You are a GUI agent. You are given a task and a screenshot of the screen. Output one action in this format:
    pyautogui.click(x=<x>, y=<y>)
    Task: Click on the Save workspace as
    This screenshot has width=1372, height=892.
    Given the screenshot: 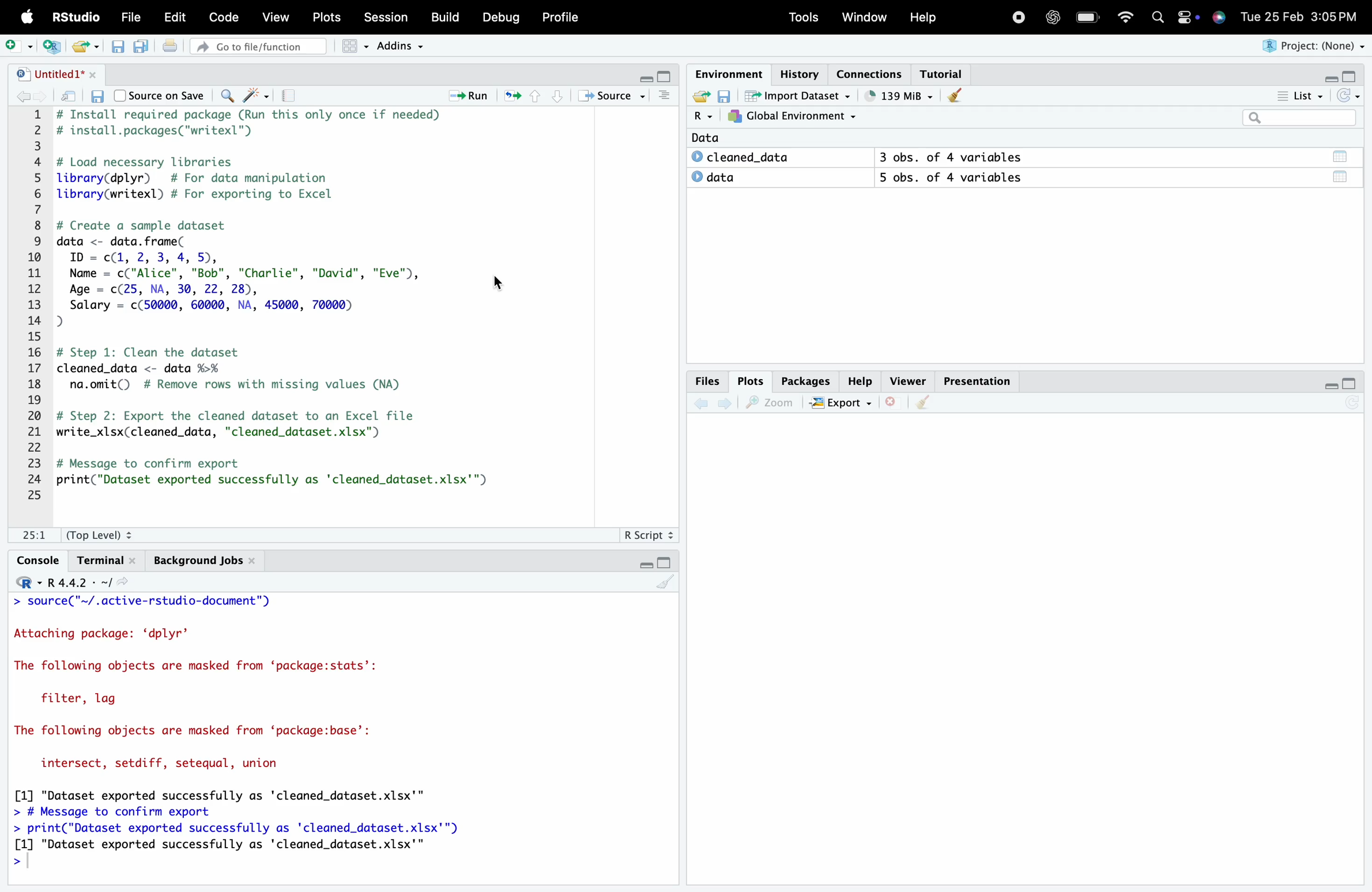 What is the action you would take?
    pyautogui.click(x=728, y=97)
    